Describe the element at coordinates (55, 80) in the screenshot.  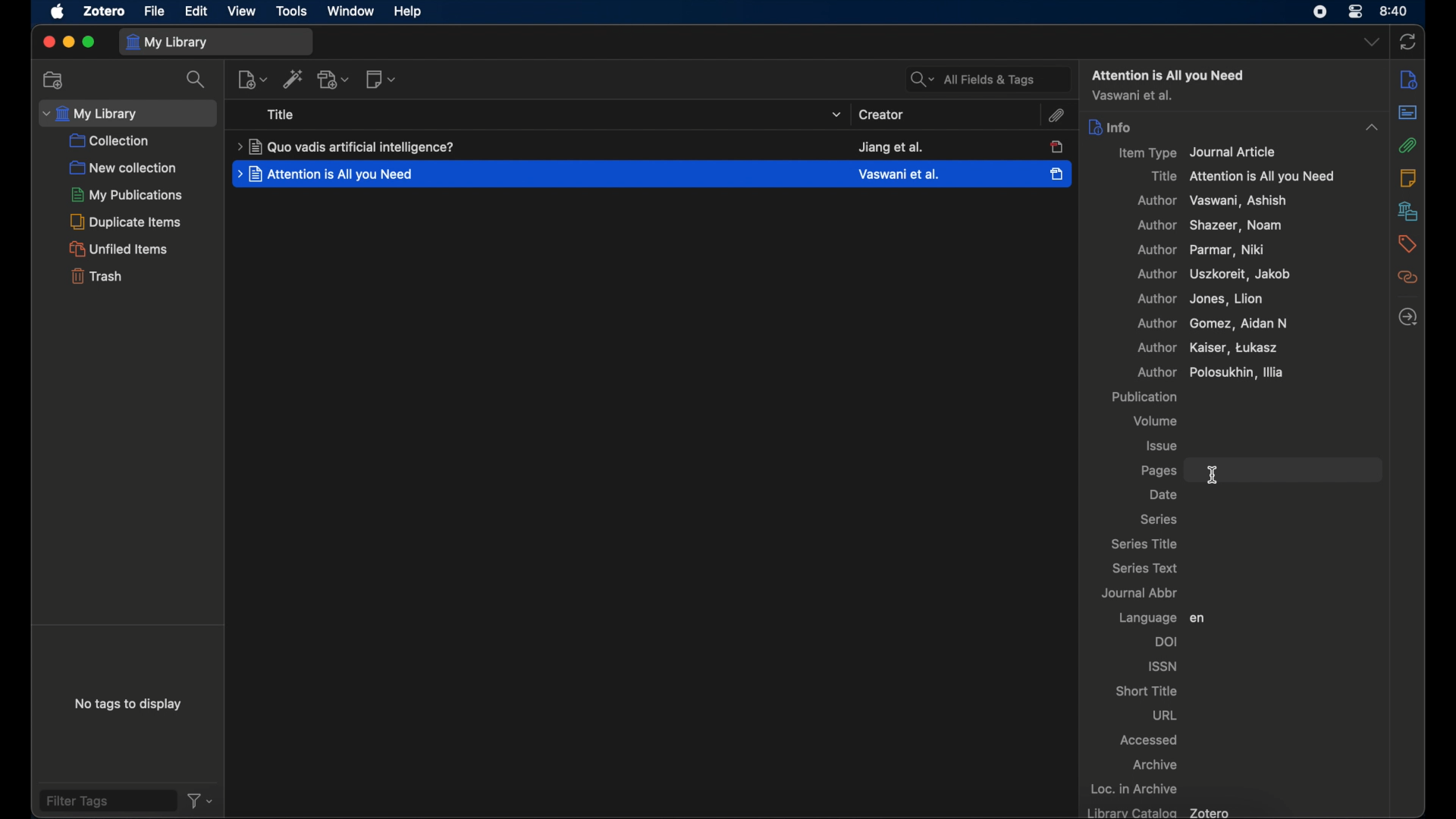
I see `new collections` at that location.